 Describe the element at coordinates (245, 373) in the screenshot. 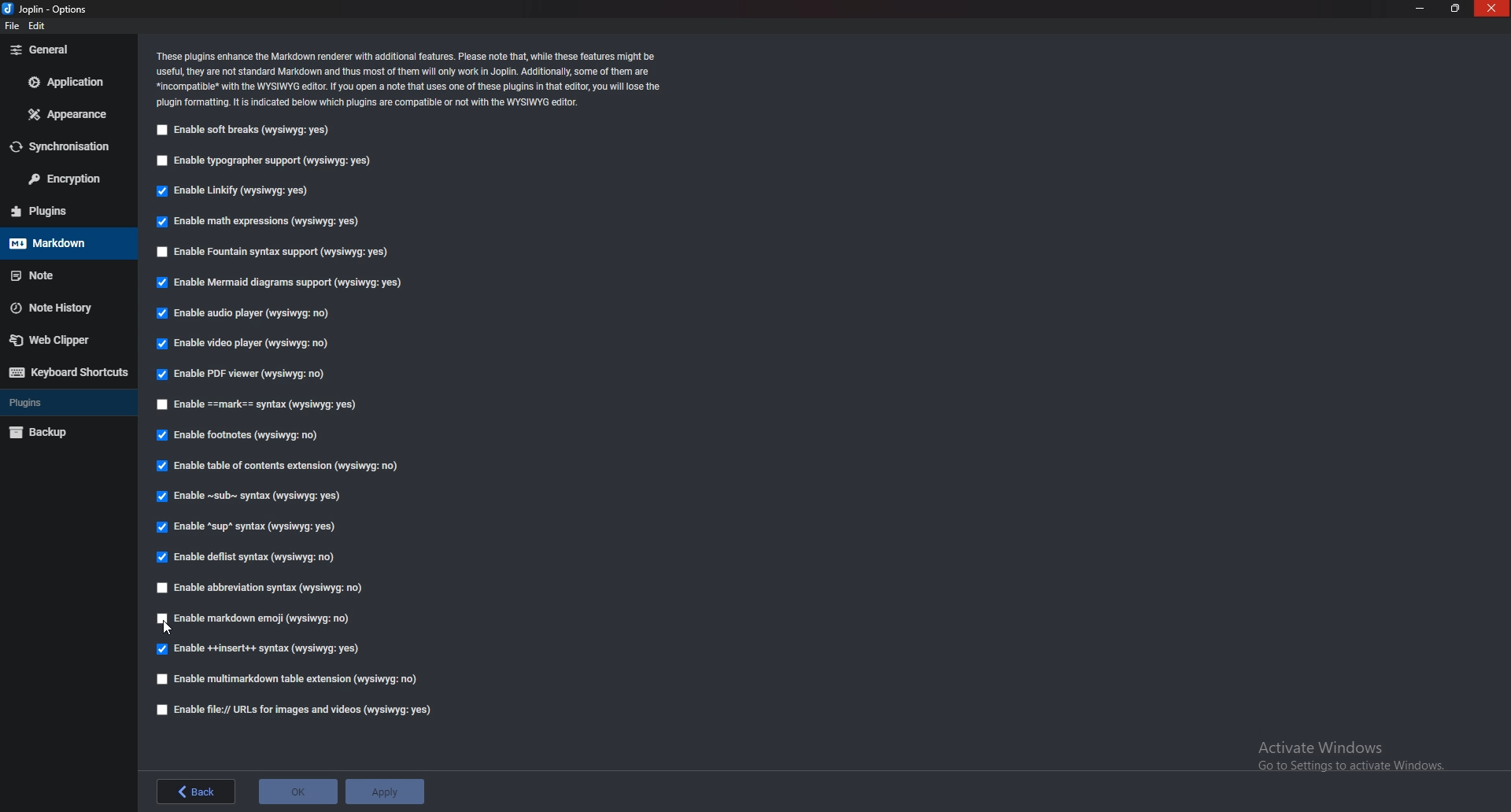

I see `Enable P D F viewer` at that location.